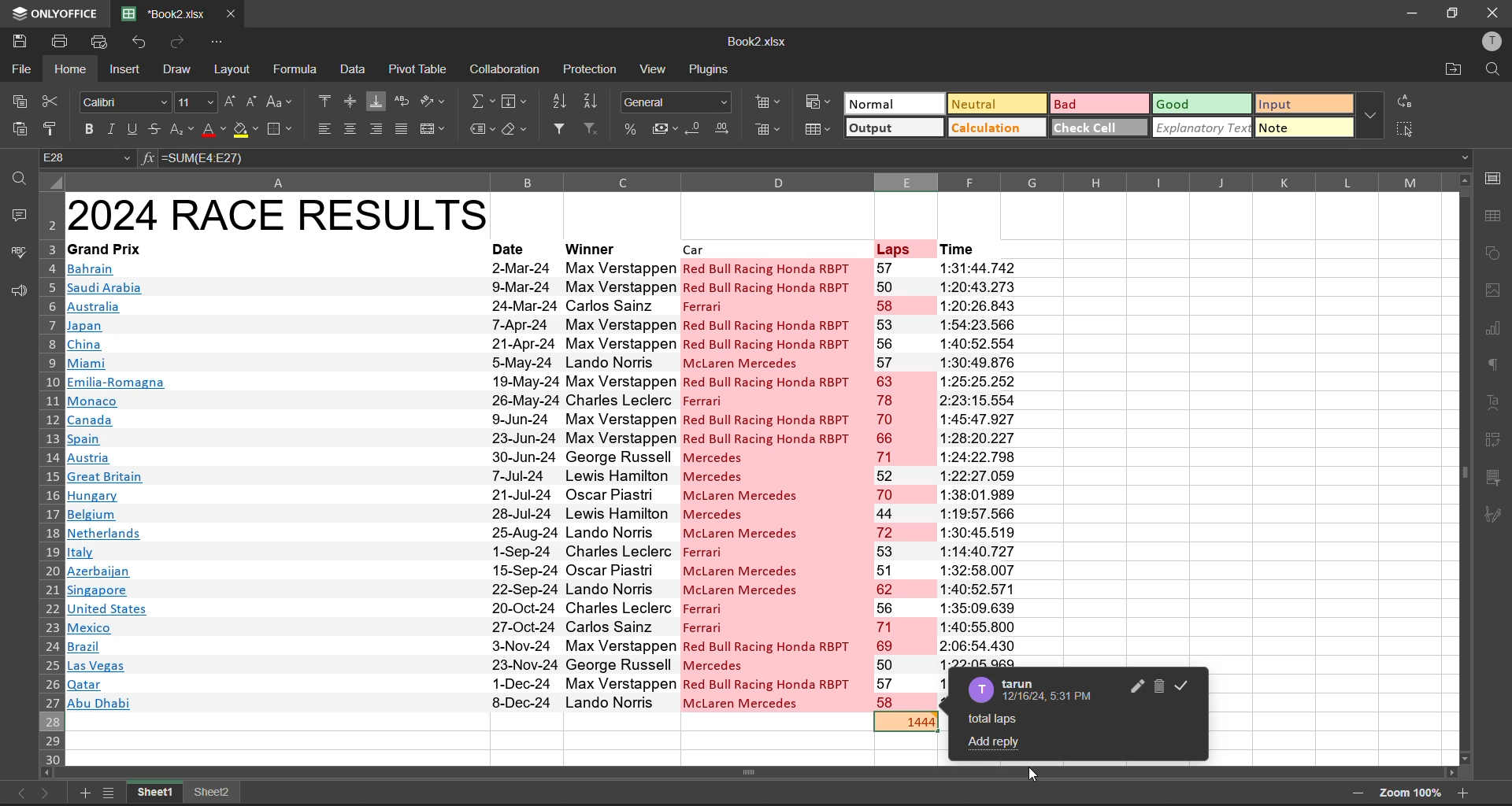 This screenshot has width=1512, height=806. I want to click on cut, so click(52, 100).